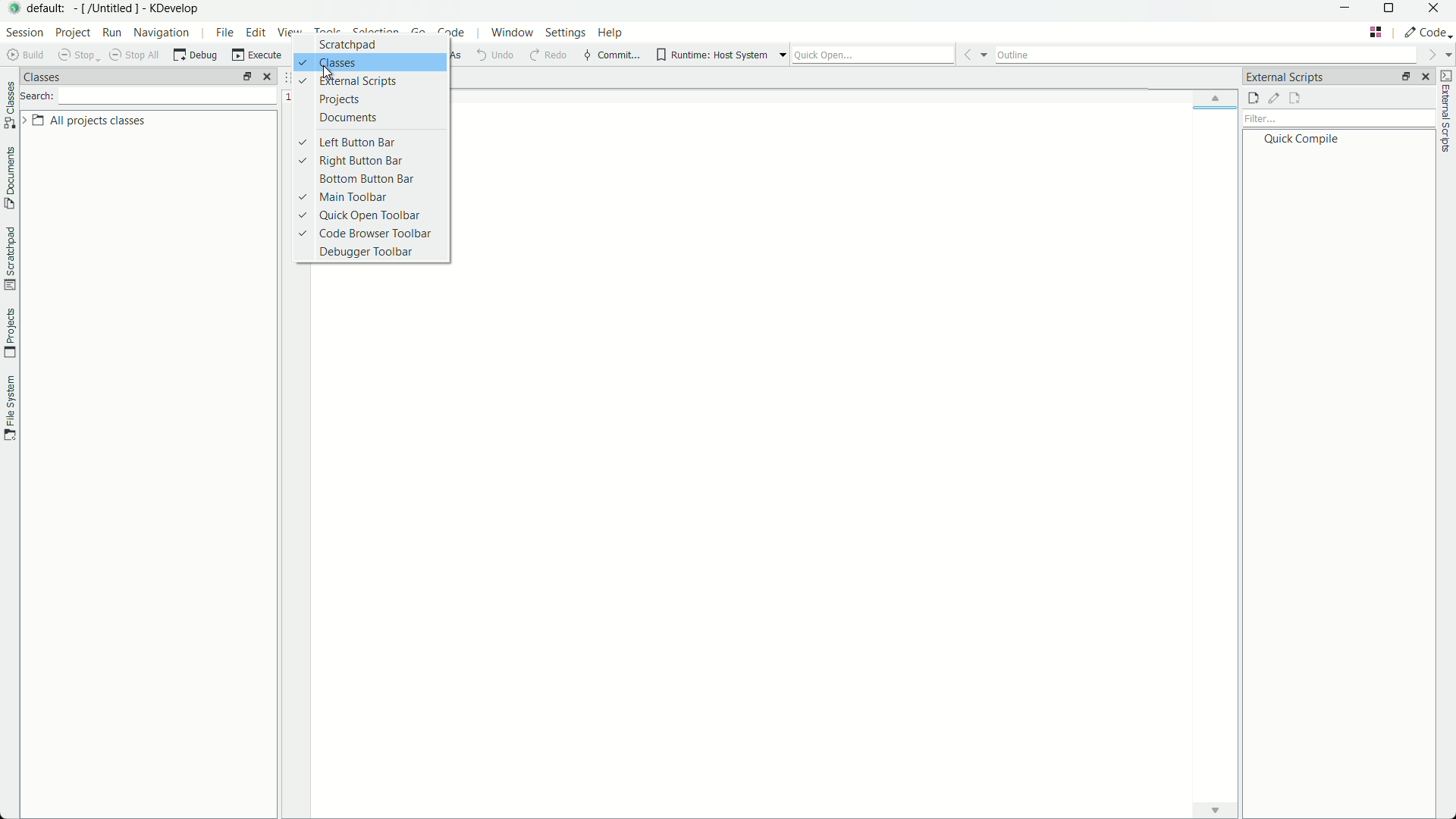  I want to click on code browser toolbar, so click(366, 231).